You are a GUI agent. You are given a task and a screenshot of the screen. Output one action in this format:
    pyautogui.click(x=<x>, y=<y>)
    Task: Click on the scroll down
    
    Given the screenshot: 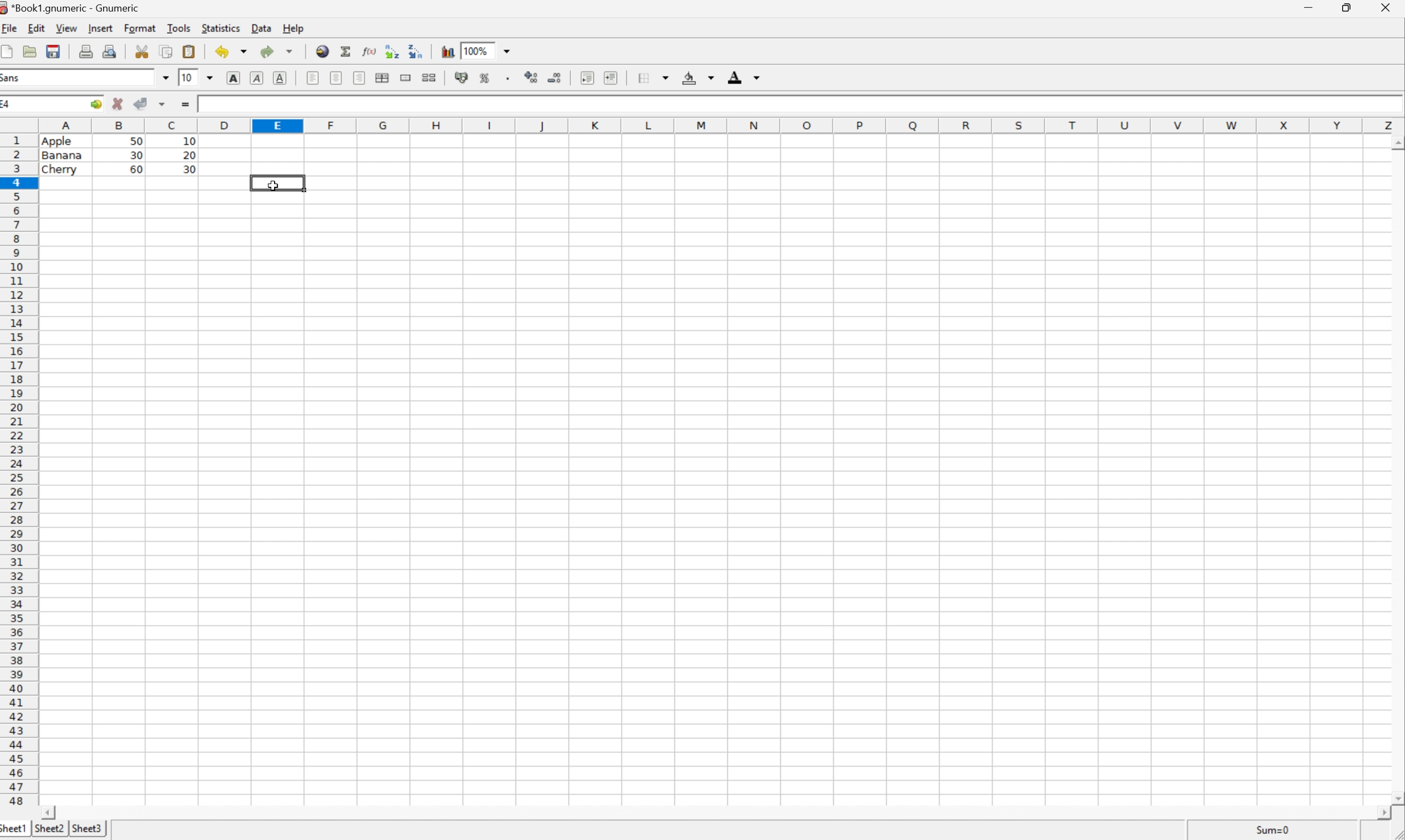 What is the action you would take?
    pyautogui.click(x=1396, y=798)
    